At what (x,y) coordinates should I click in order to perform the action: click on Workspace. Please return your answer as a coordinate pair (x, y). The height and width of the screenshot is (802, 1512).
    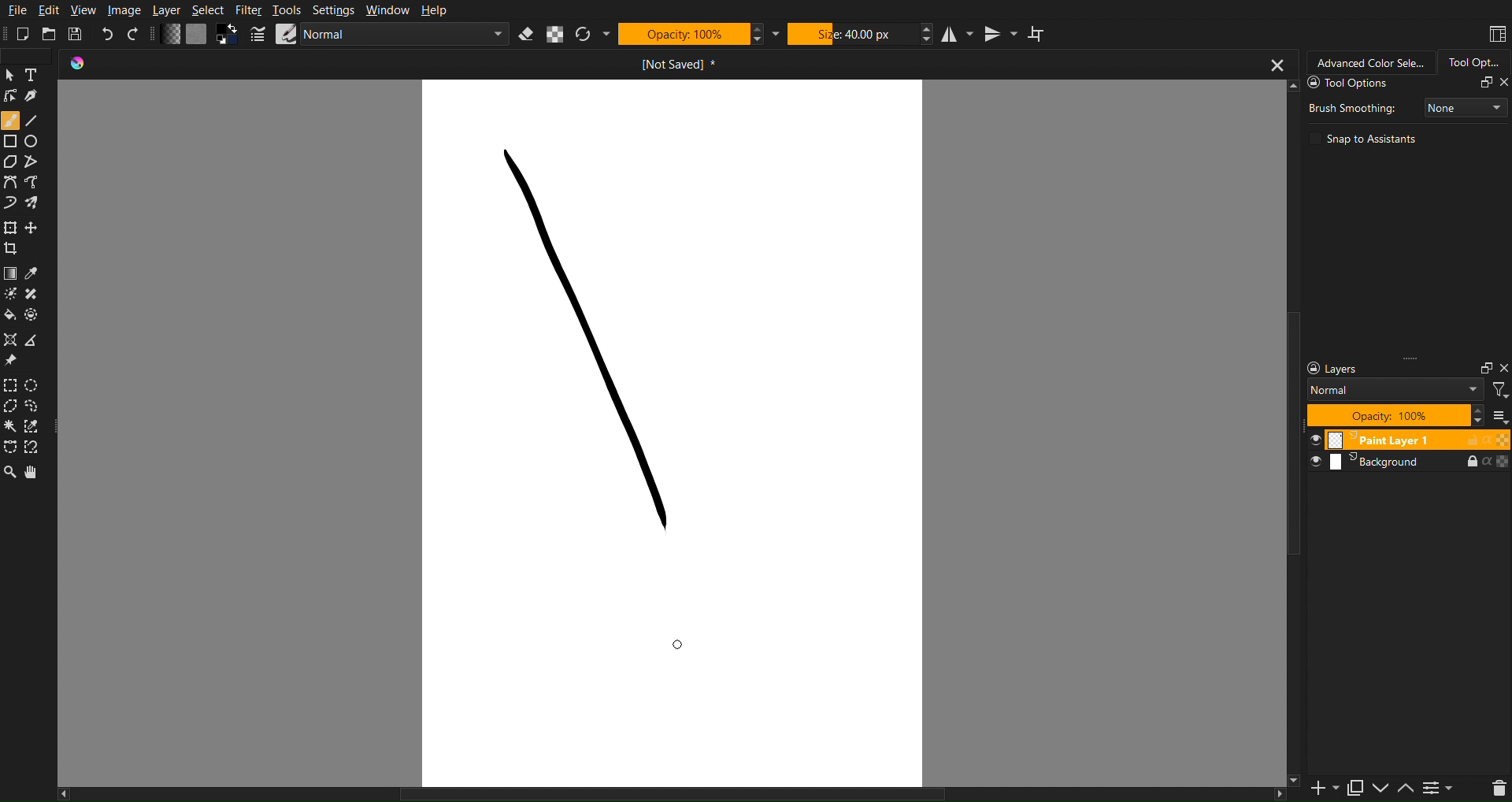
    Looking at the image, I should click on (1496, 34).